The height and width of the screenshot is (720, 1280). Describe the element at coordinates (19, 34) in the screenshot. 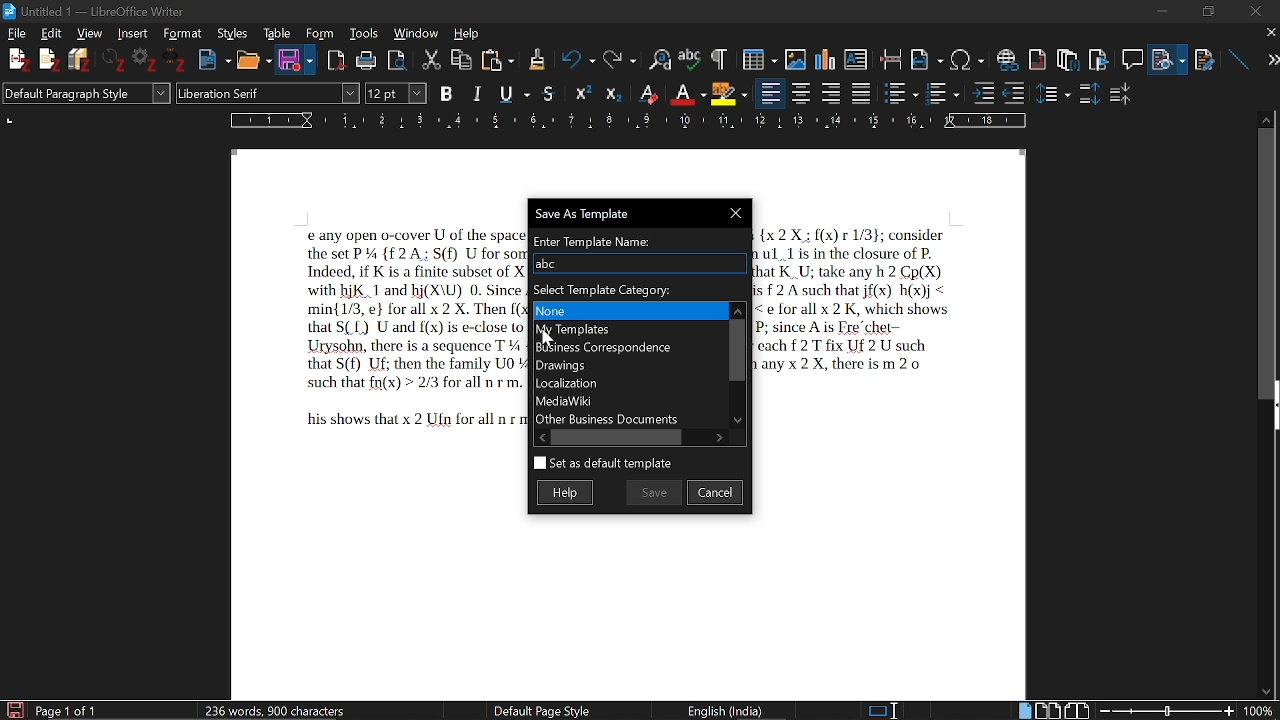

I see `File` at that location.